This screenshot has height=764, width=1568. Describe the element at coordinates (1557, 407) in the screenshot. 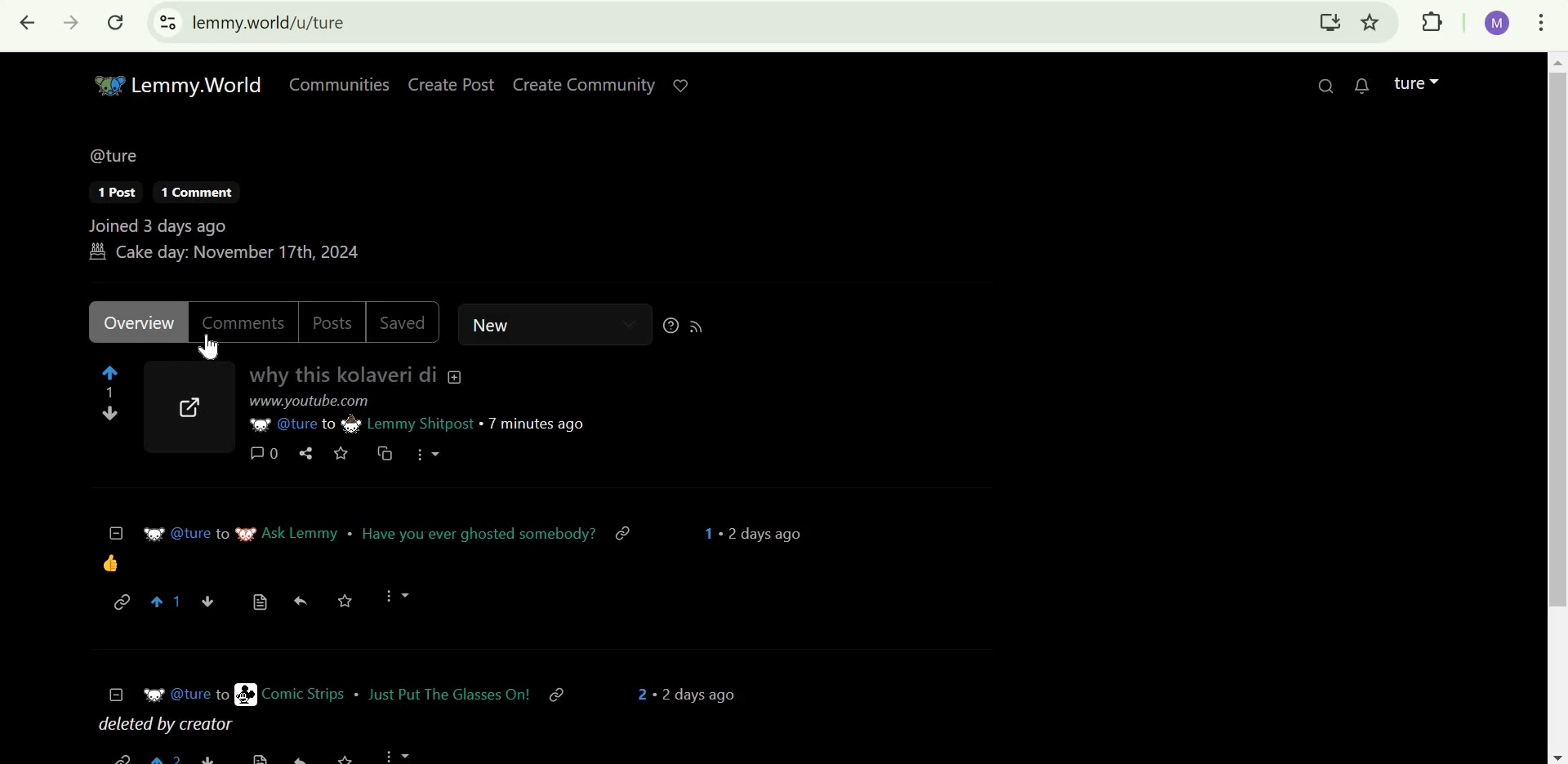

I see `scrollbar` at that location.